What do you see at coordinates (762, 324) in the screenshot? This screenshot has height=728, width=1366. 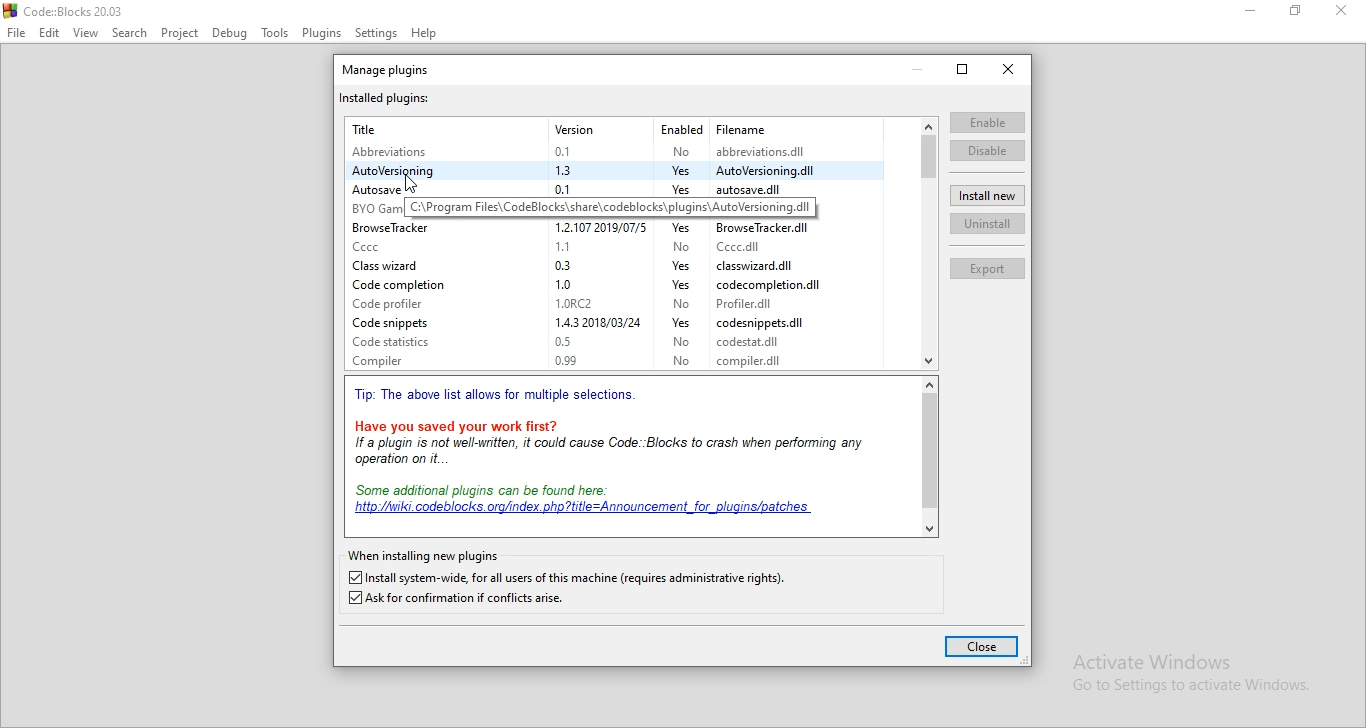 I see `codesnippets.dil` at bounding box center [762, 324].